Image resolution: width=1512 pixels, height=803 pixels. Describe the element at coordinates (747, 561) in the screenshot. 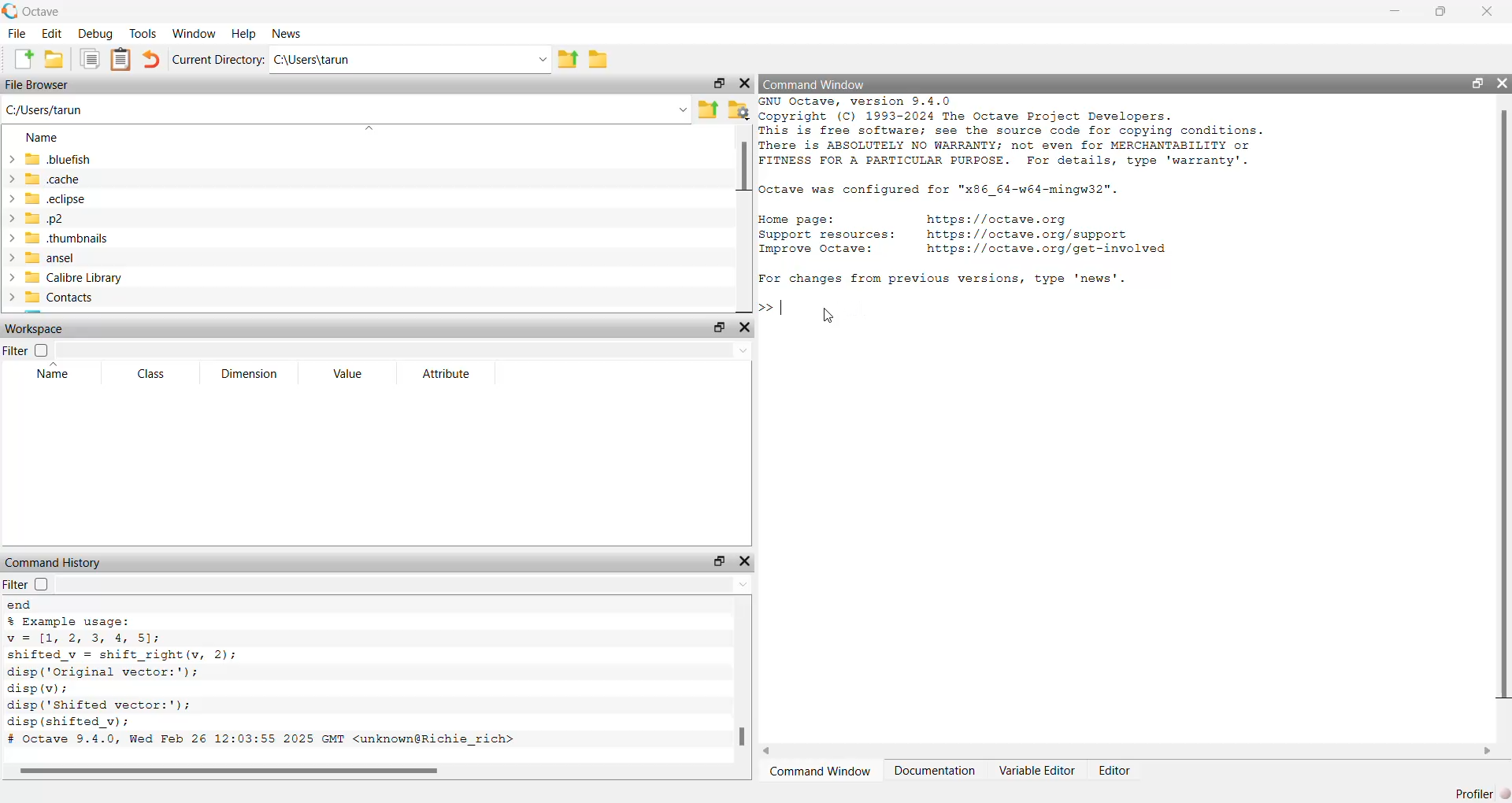

I see `hide widget` at that location.